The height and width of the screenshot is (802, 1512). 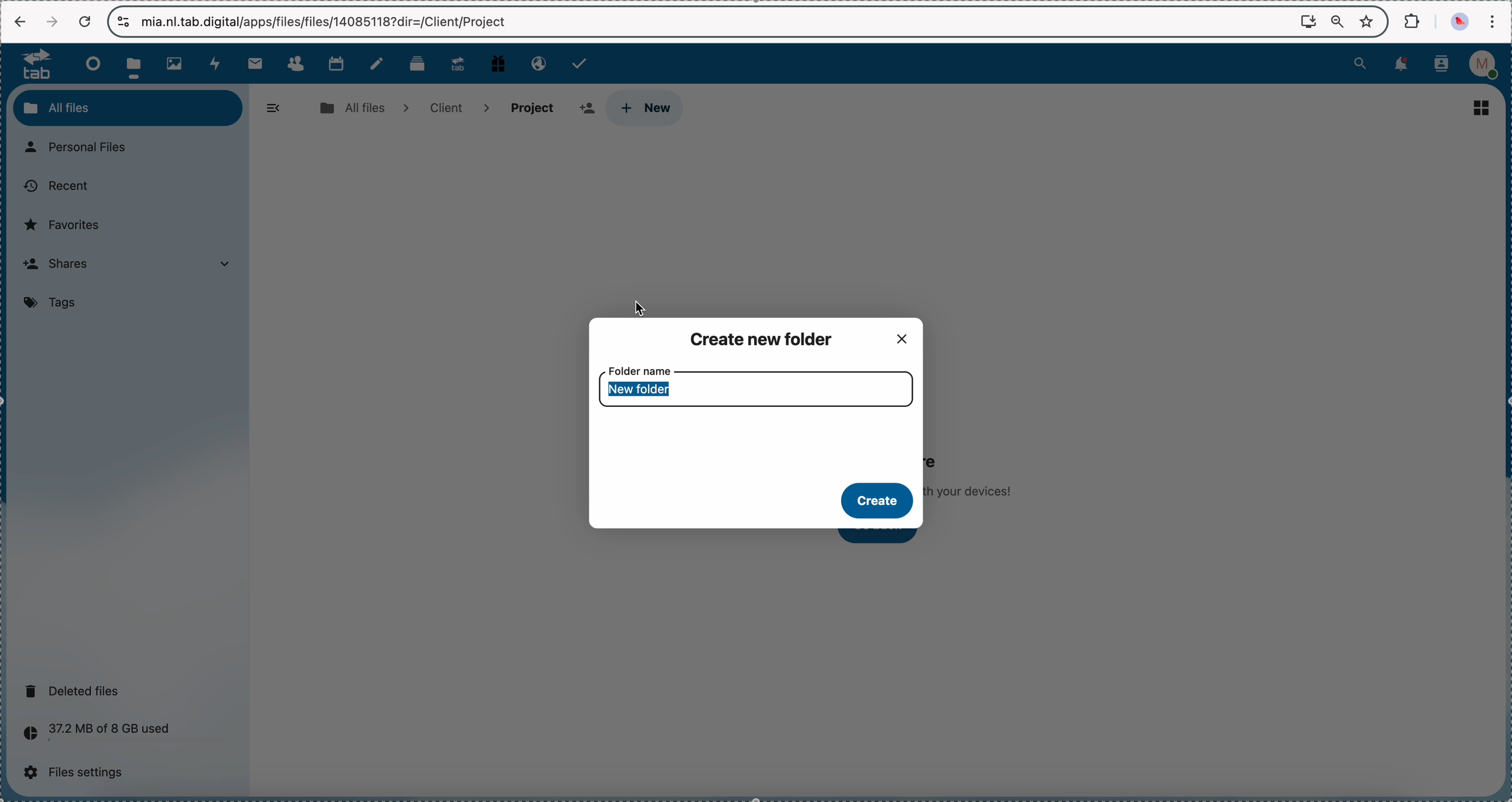 I want to click on click on files, so click(x=137, y=63).